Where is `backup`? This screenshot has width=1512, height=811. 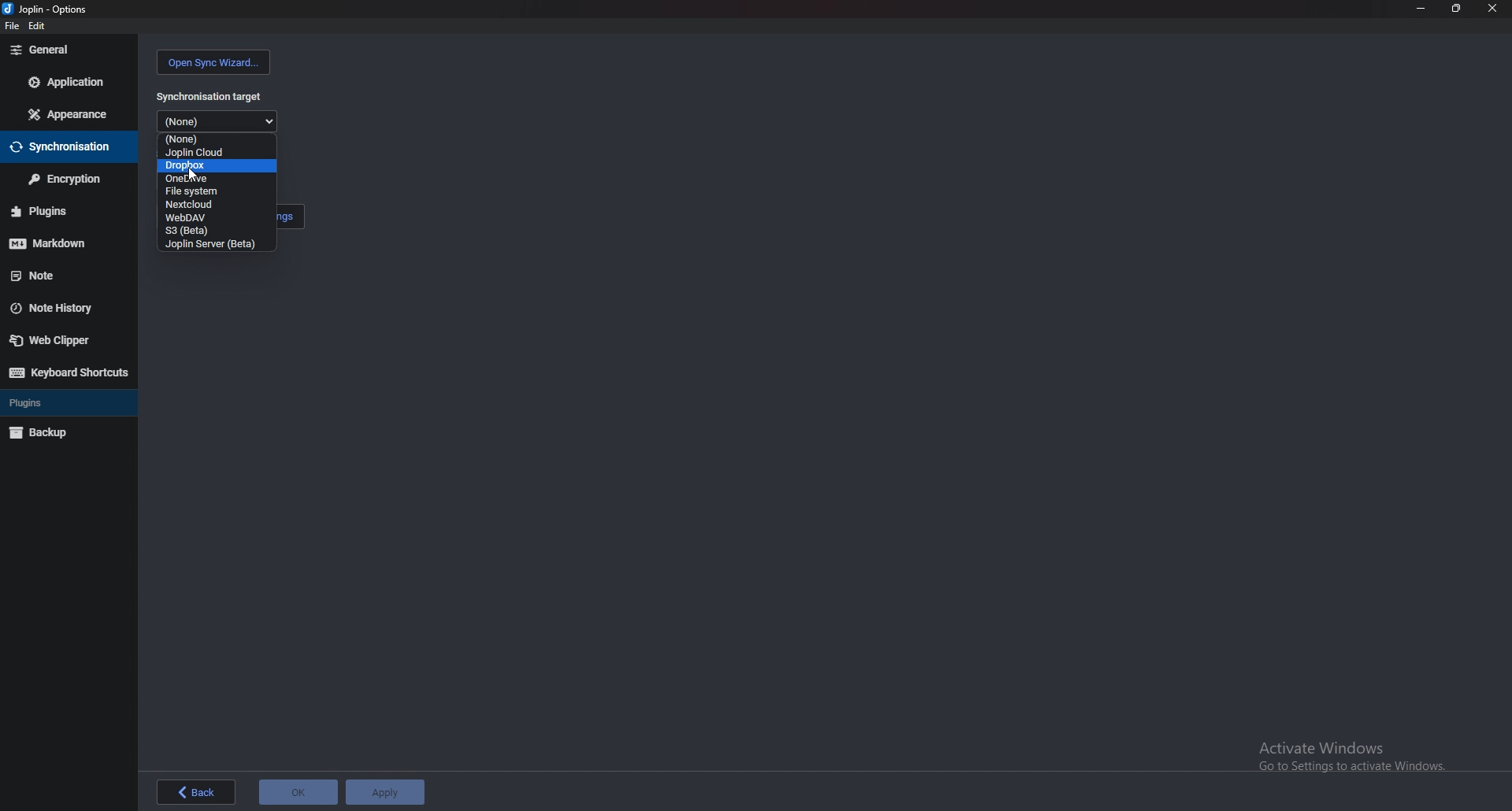
backup is located at coordinates (49, 432).